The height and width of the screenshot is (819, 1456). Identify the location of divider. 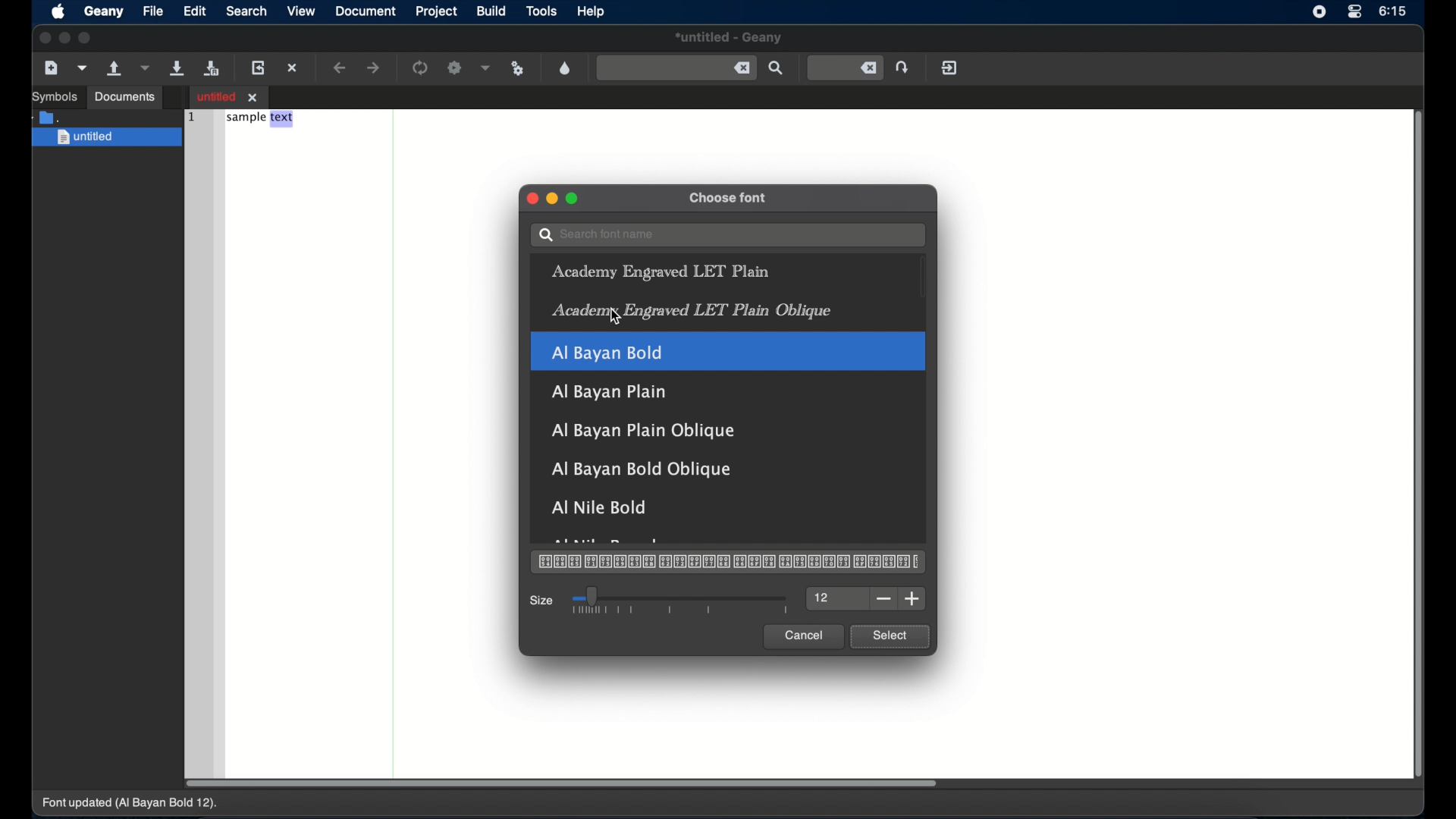
(395, 440).